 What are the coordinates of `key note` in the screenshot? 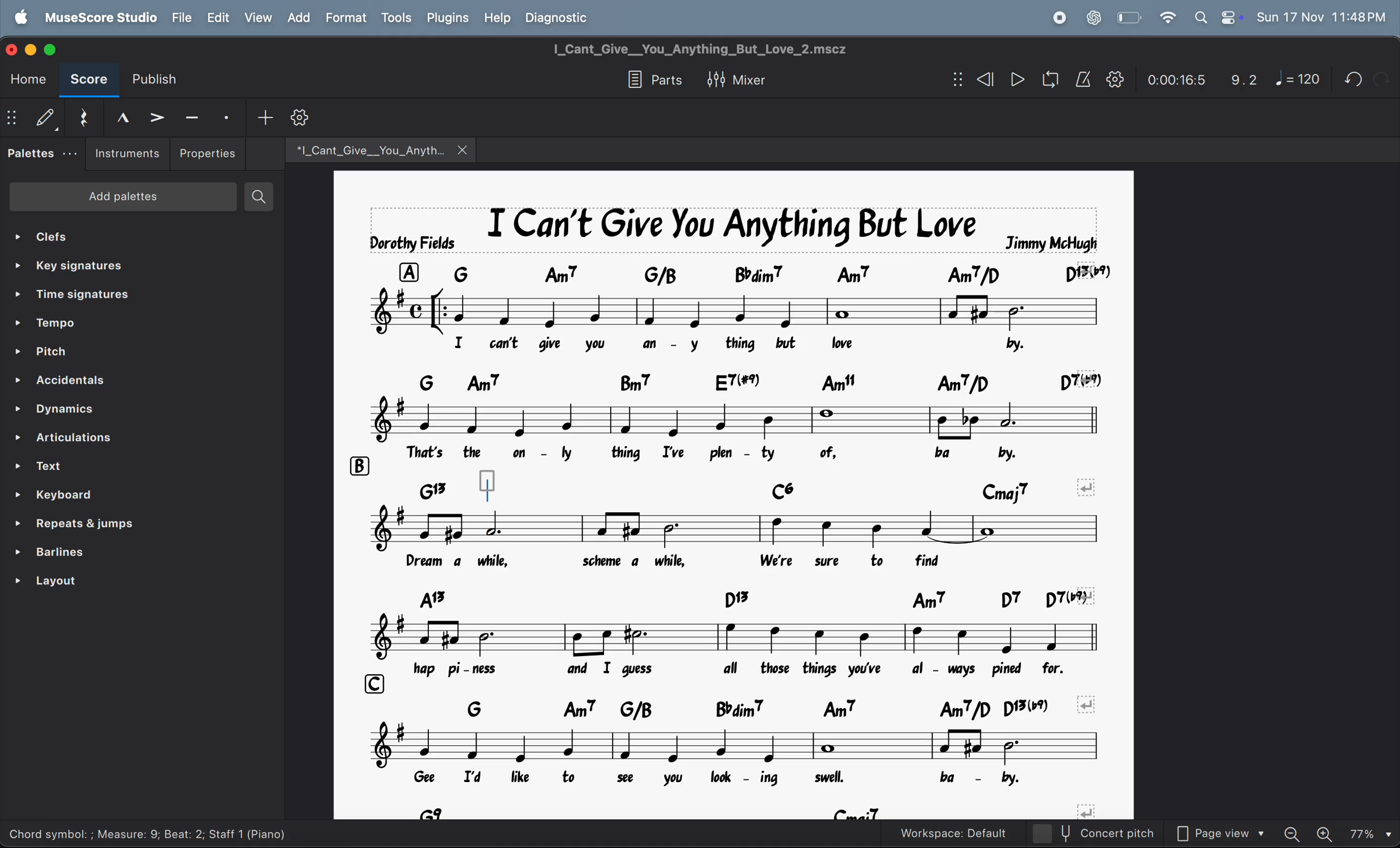 It's located at (747, 272).